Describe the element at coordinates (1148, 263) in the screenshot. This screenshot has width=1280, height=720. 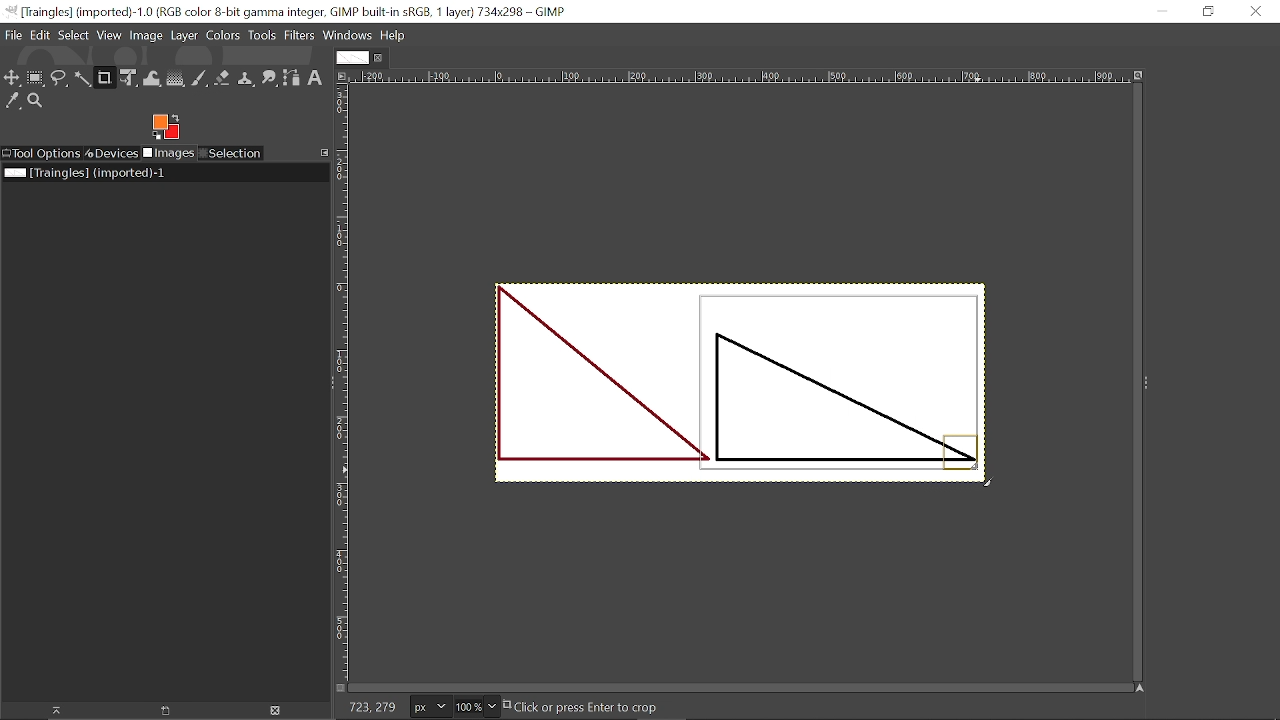
I see `Text tool` at that location.